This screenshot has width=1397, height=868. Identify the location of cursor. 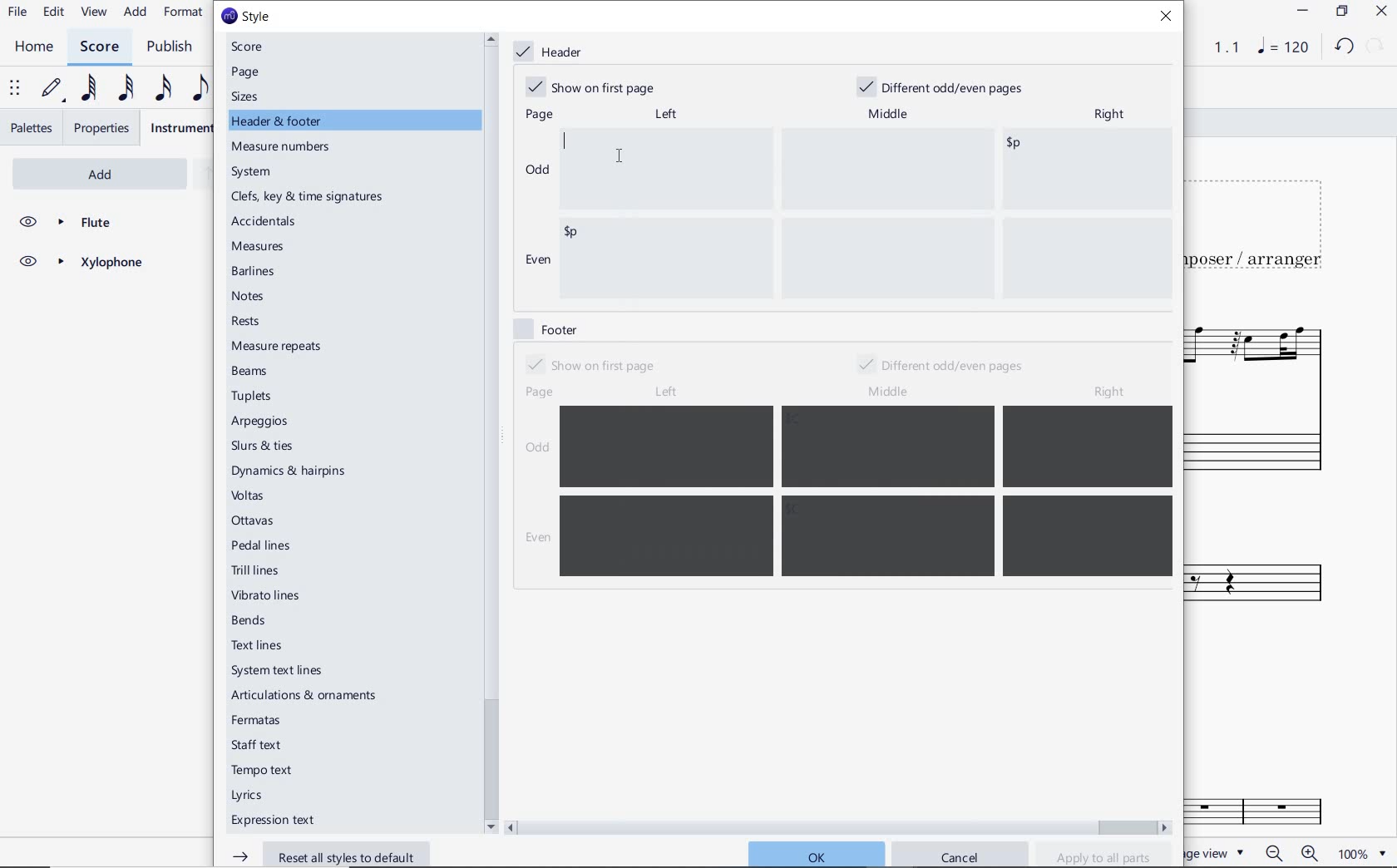
(620, 156).